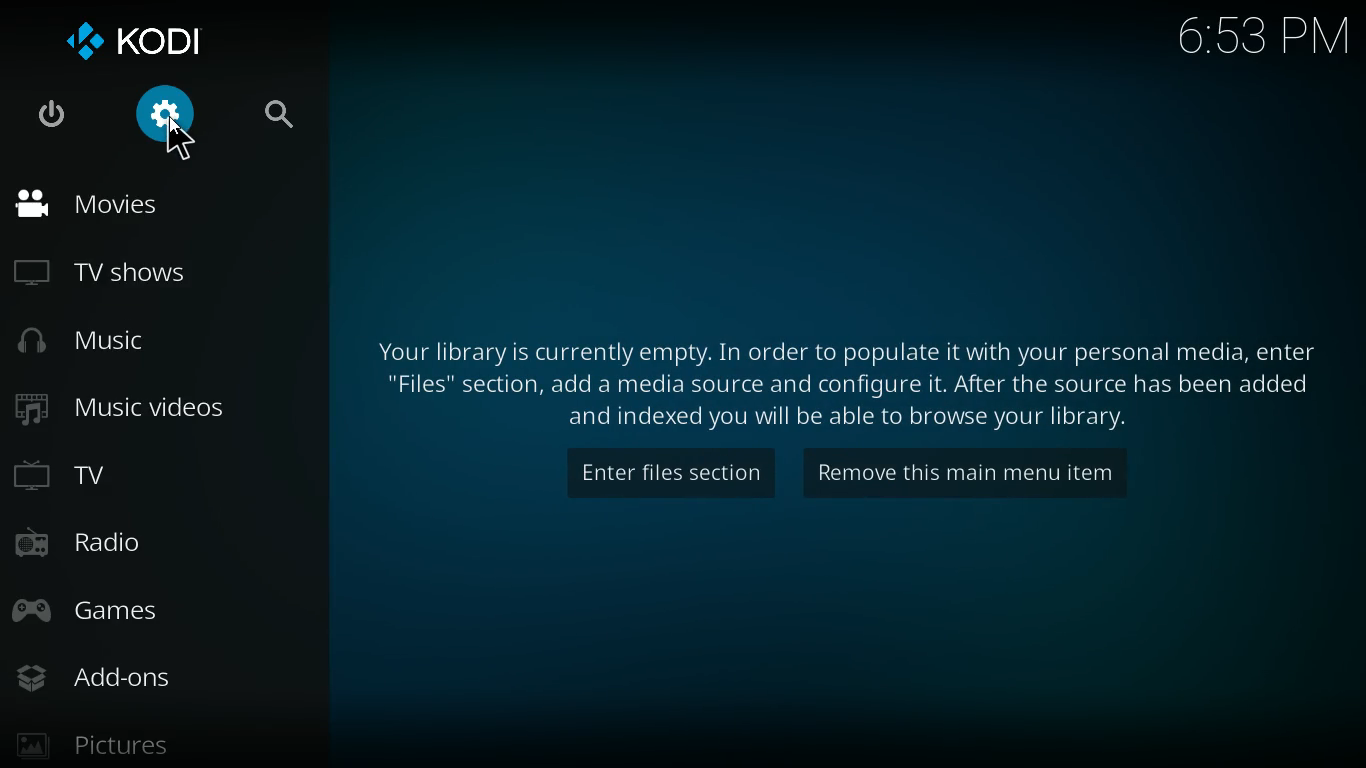 This screenshot has width=1366, height=768. What do you see at coordinates (102, 545) in the screenshot?
I see `radio` at bounding box center [102, 545].